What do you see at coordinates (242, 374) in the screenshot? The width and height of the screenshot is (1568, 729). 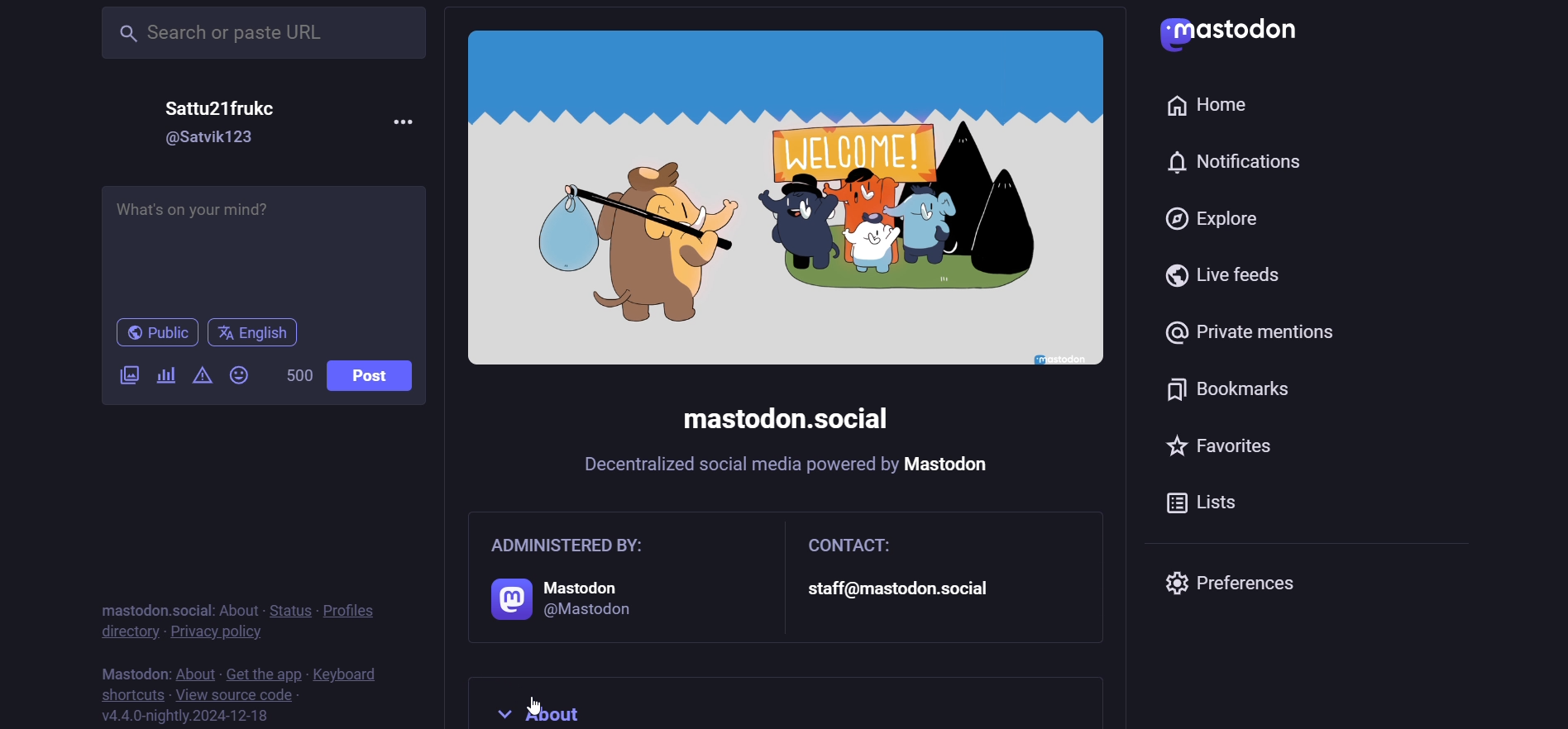 I see `emoji` at bounding box center [242, 374].